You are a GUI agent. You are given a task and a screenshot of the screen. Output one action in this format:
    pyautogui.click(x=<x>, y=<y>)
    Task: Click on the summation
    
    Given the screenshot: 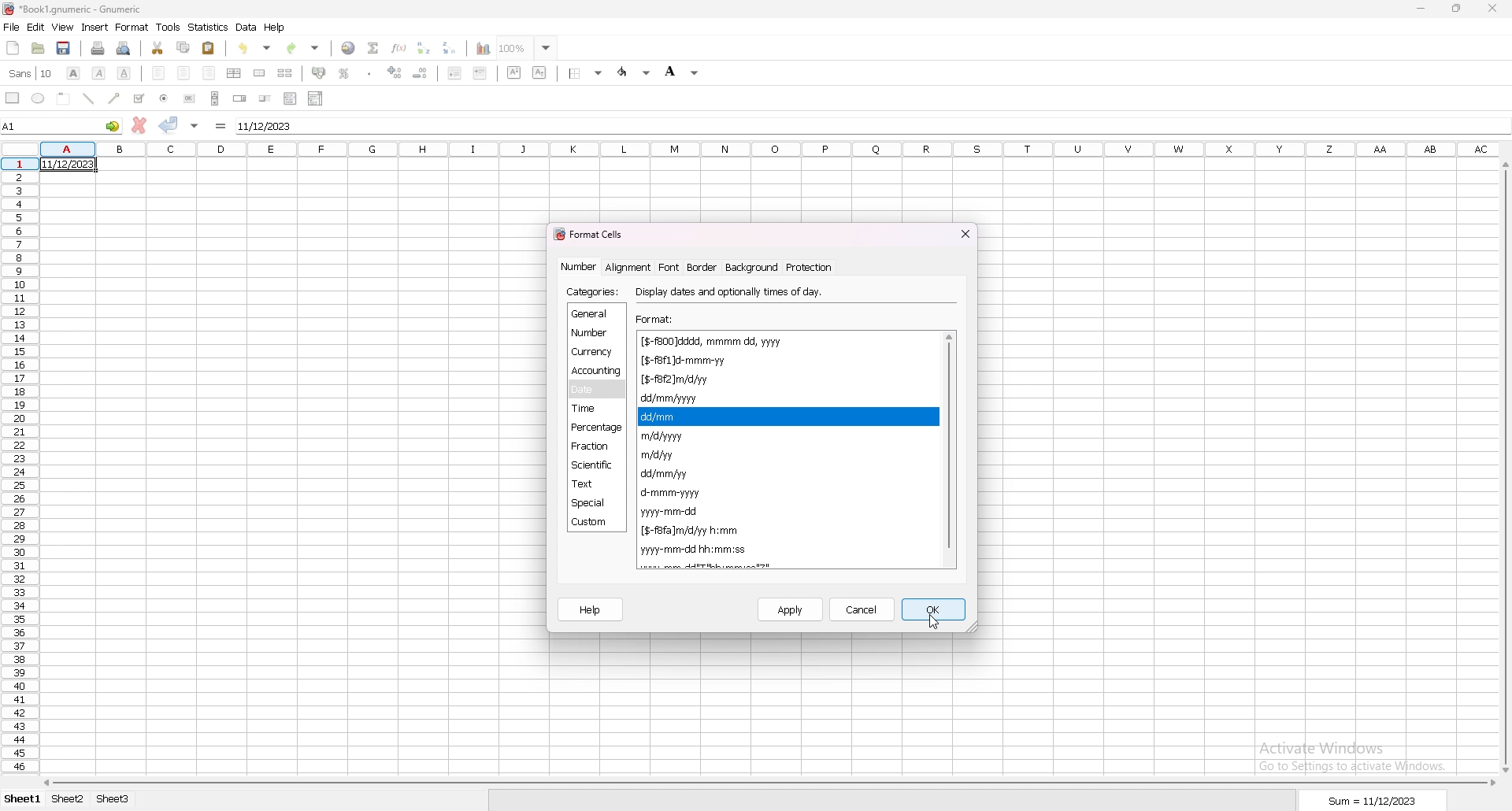 What is the action you would take?
    pyautogui.click(x=374, y=47)
    